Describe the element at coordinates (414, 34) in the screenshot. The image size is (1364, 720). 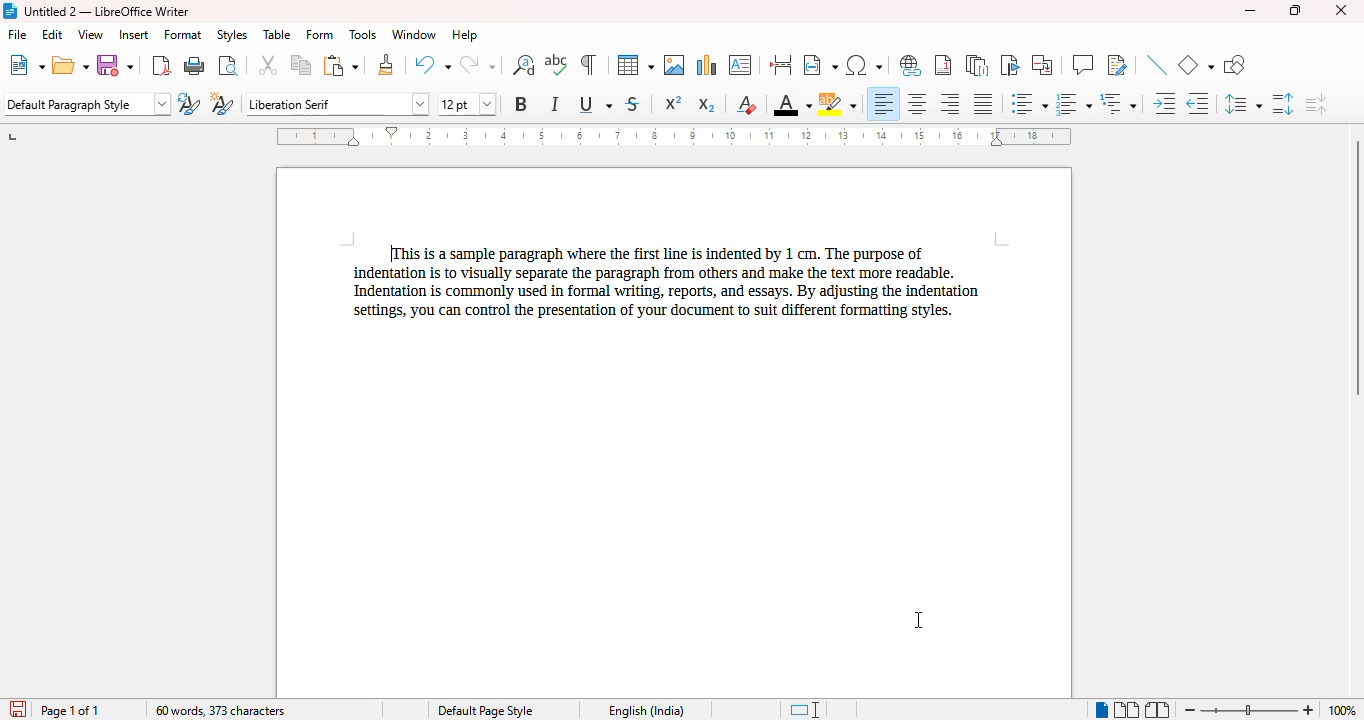
I see `window` at that location.